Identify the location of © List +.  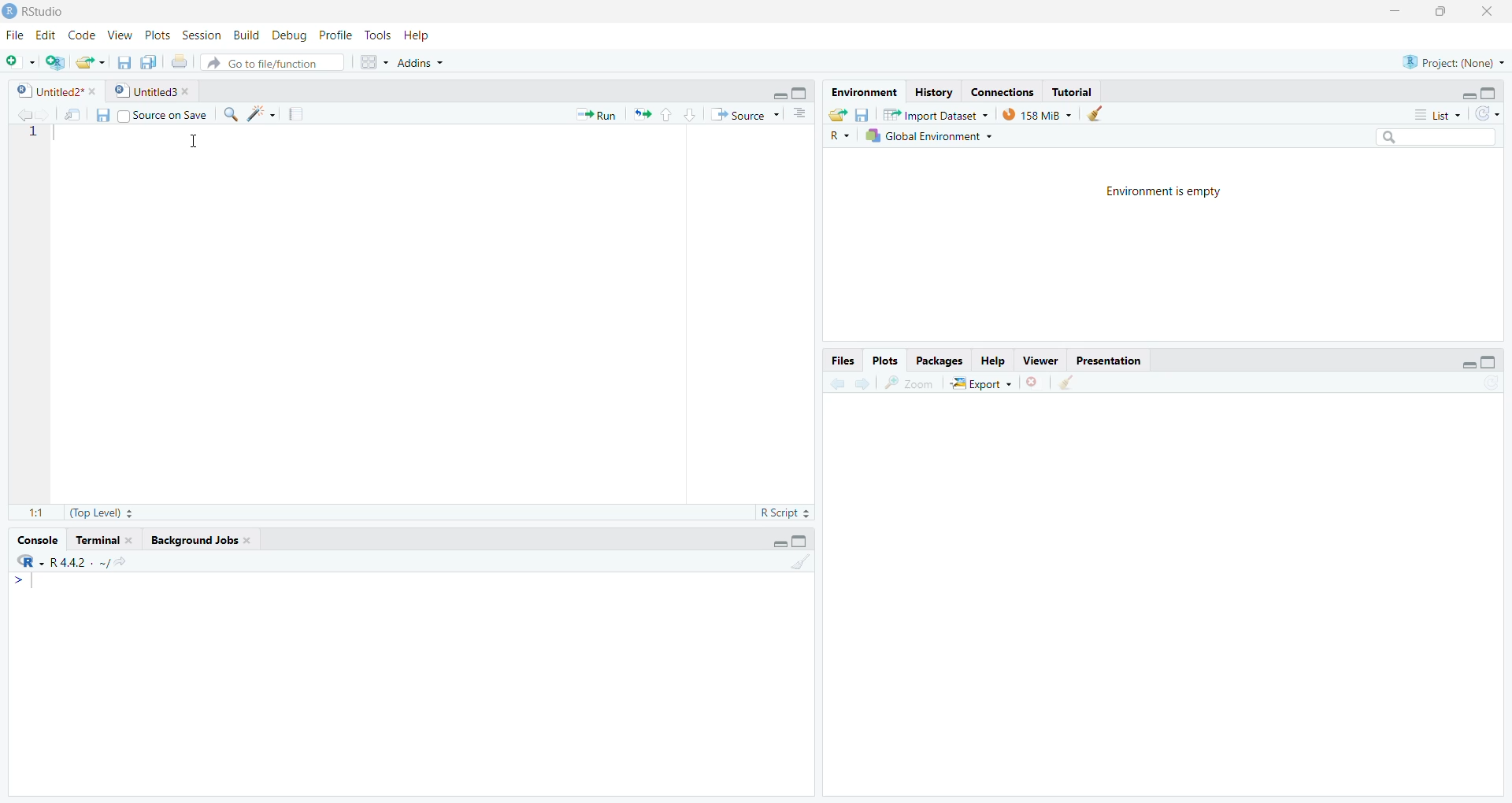
(1437, 113).